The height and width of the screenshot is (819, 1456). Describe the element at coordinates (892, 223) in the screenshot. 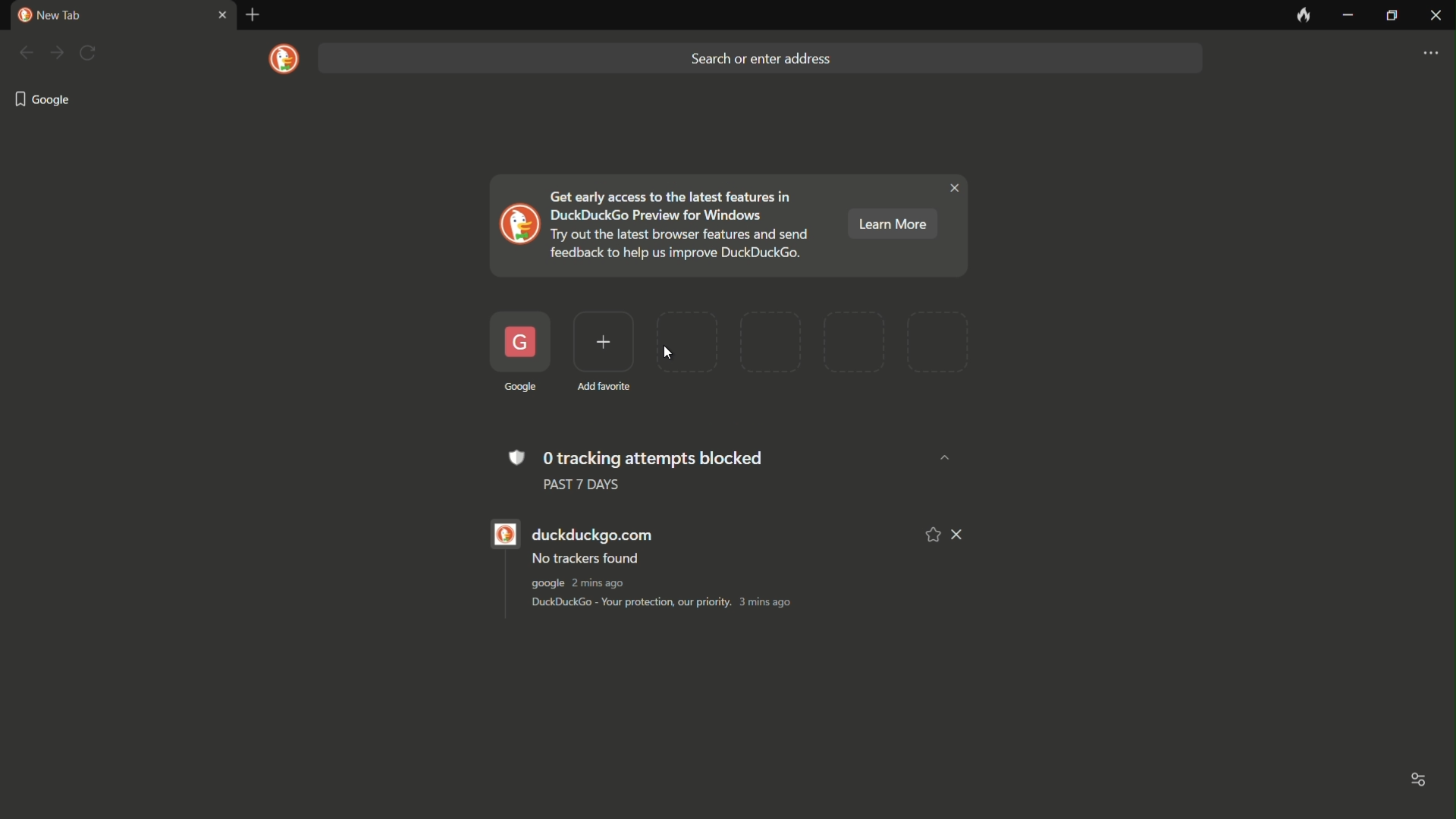

I see `learn more` at that location.